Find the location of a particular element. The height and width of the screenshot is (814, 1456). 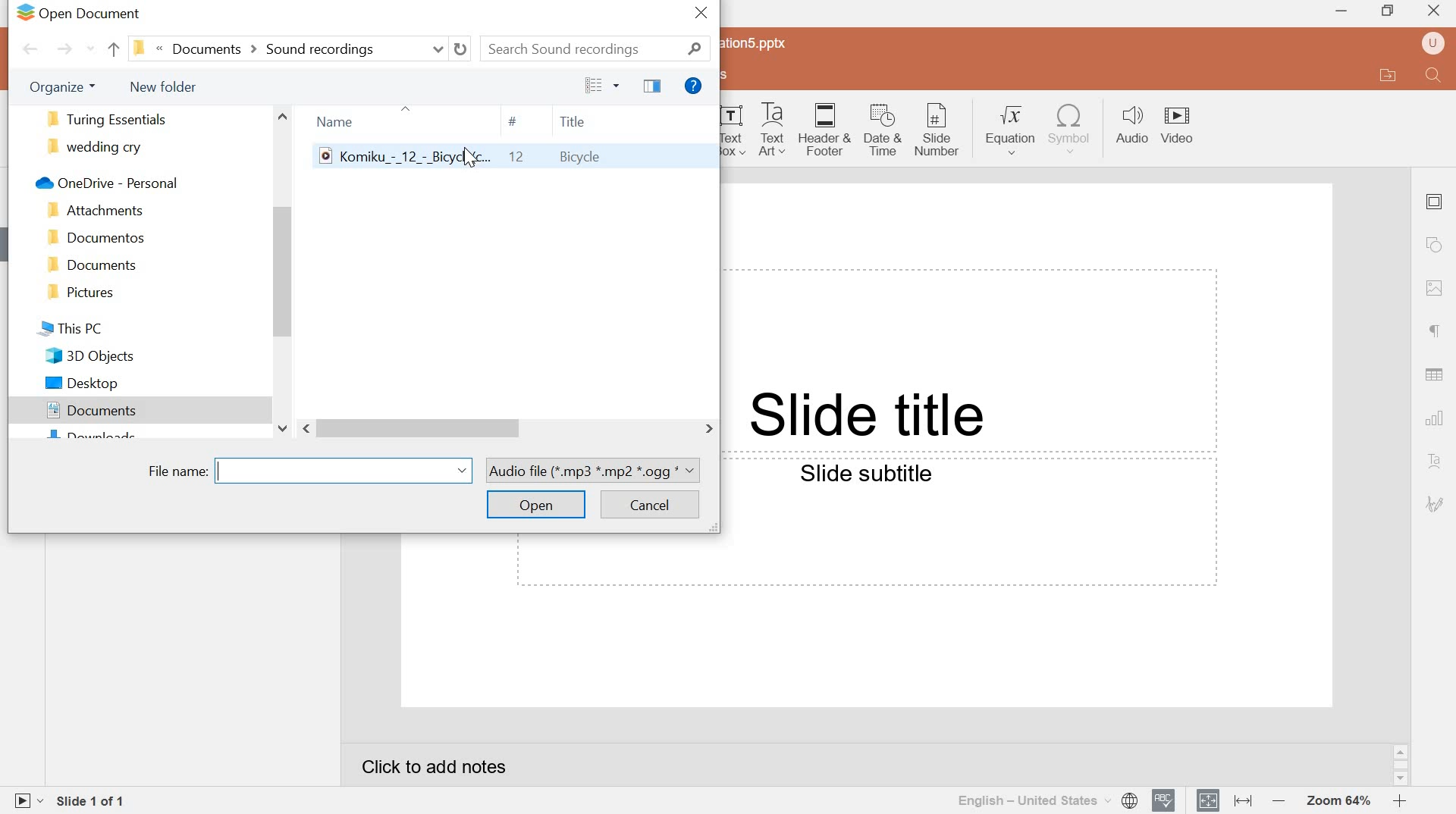

Text Art is located at coordinates (776, 130).